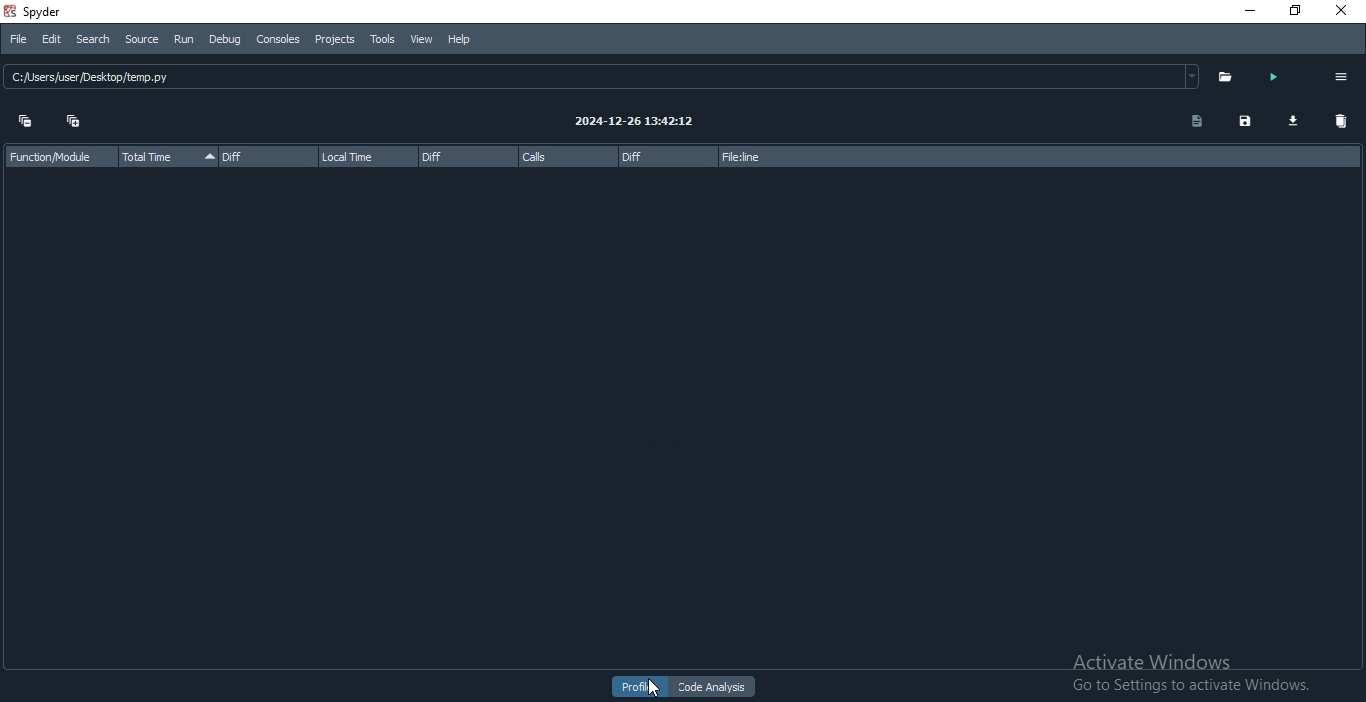 The height and width of the screenshot is (702, 1366). I want to click on View, so click(422, 40).